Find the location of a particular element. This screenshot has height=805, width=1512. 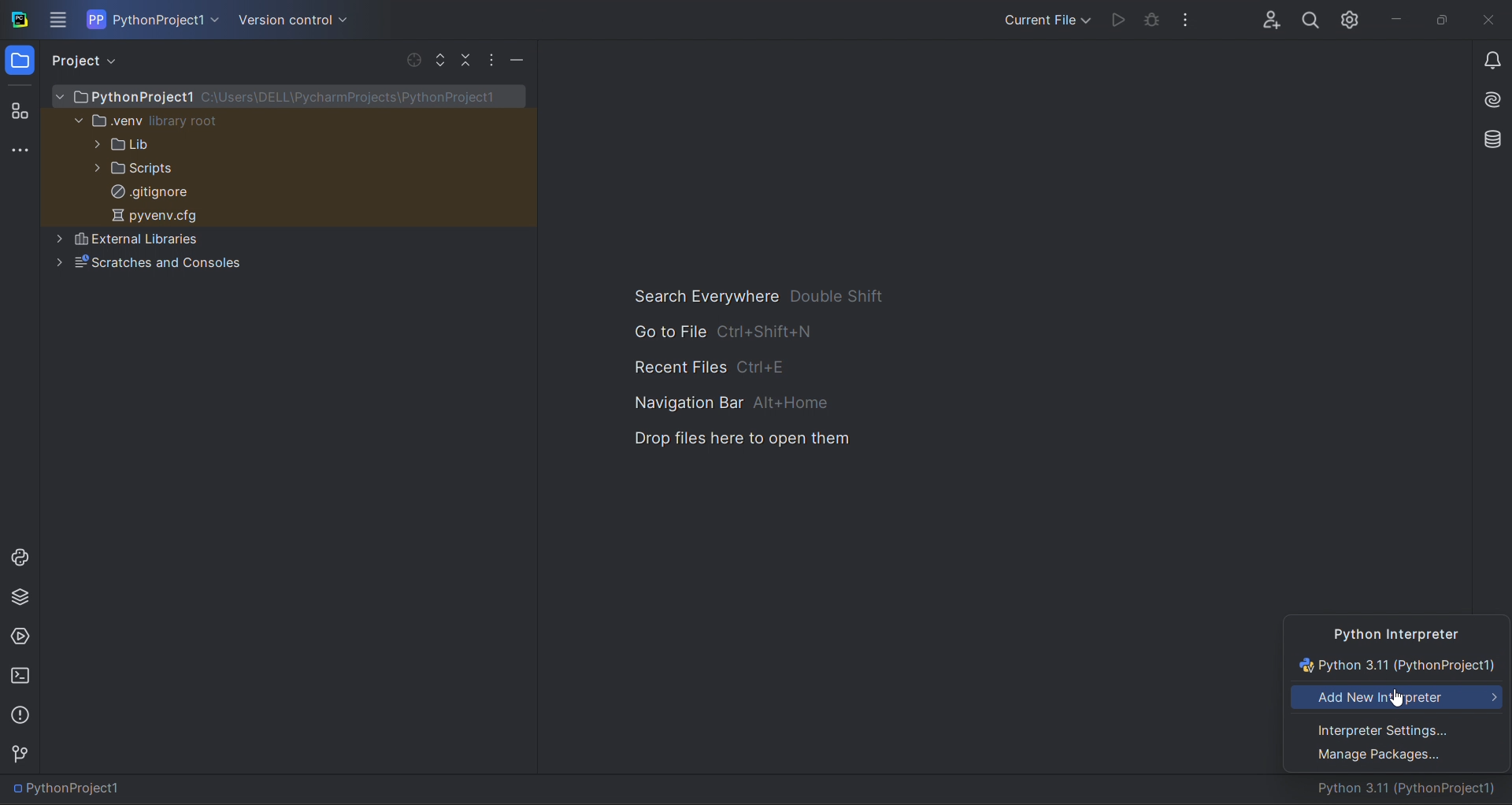

main menu is located at coordinates (60, 20).